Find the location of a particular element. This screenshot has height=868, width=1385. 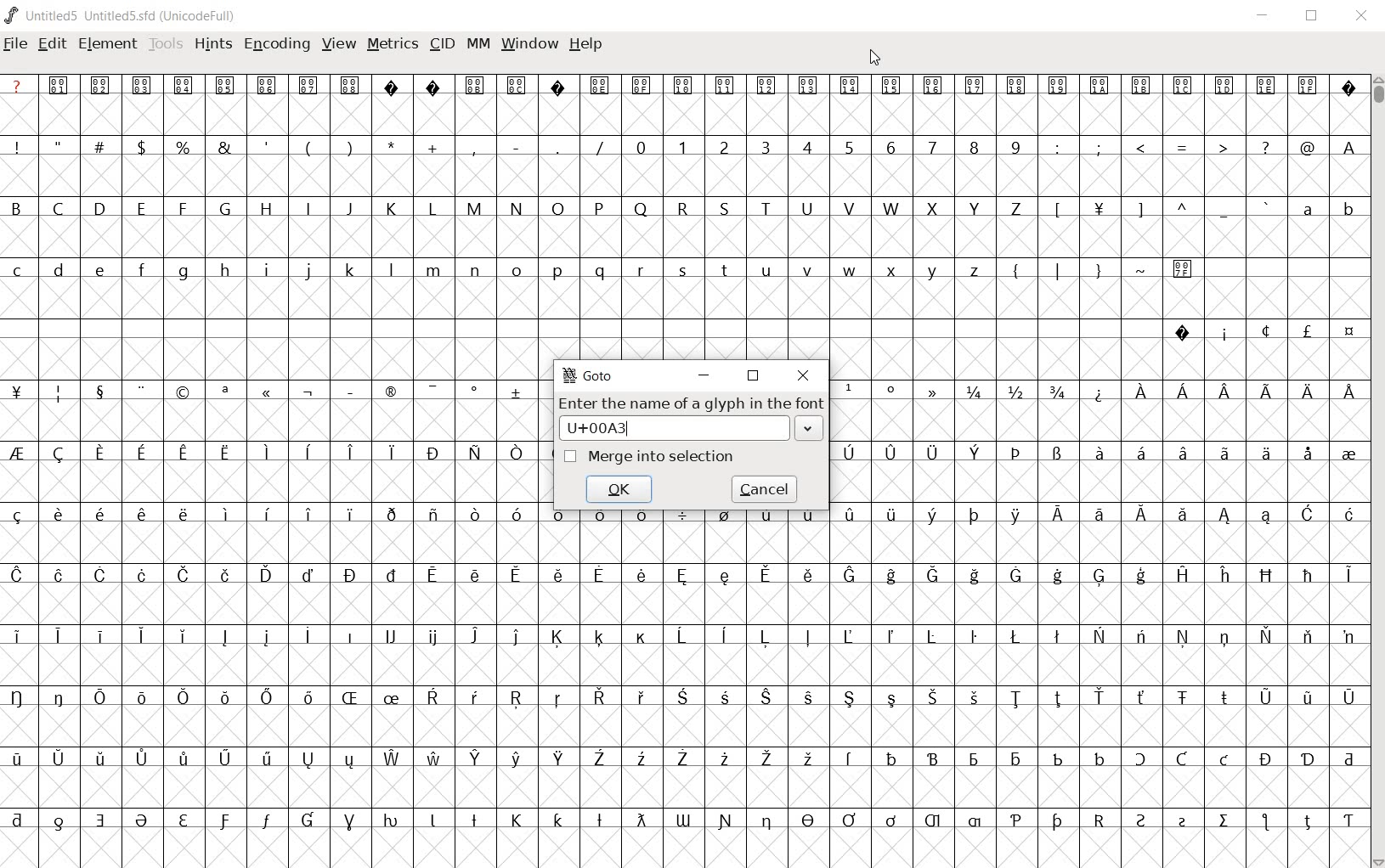

Symbol is located at coordinates (1223, 698).